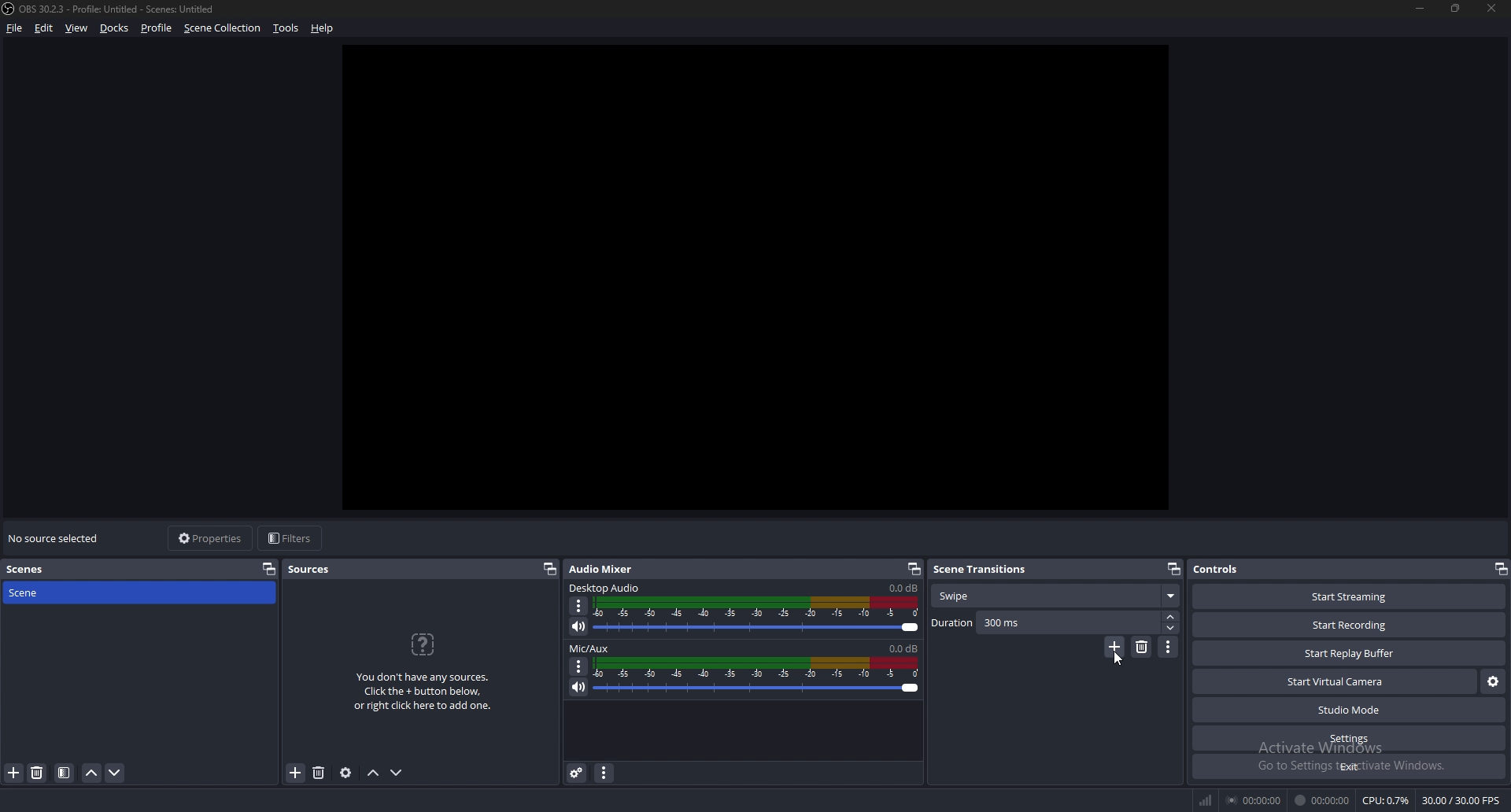 The image size is (1511, 812). Describe the element at coordinates (1350, 626) in the screenshot. I see `start recording` at that location.